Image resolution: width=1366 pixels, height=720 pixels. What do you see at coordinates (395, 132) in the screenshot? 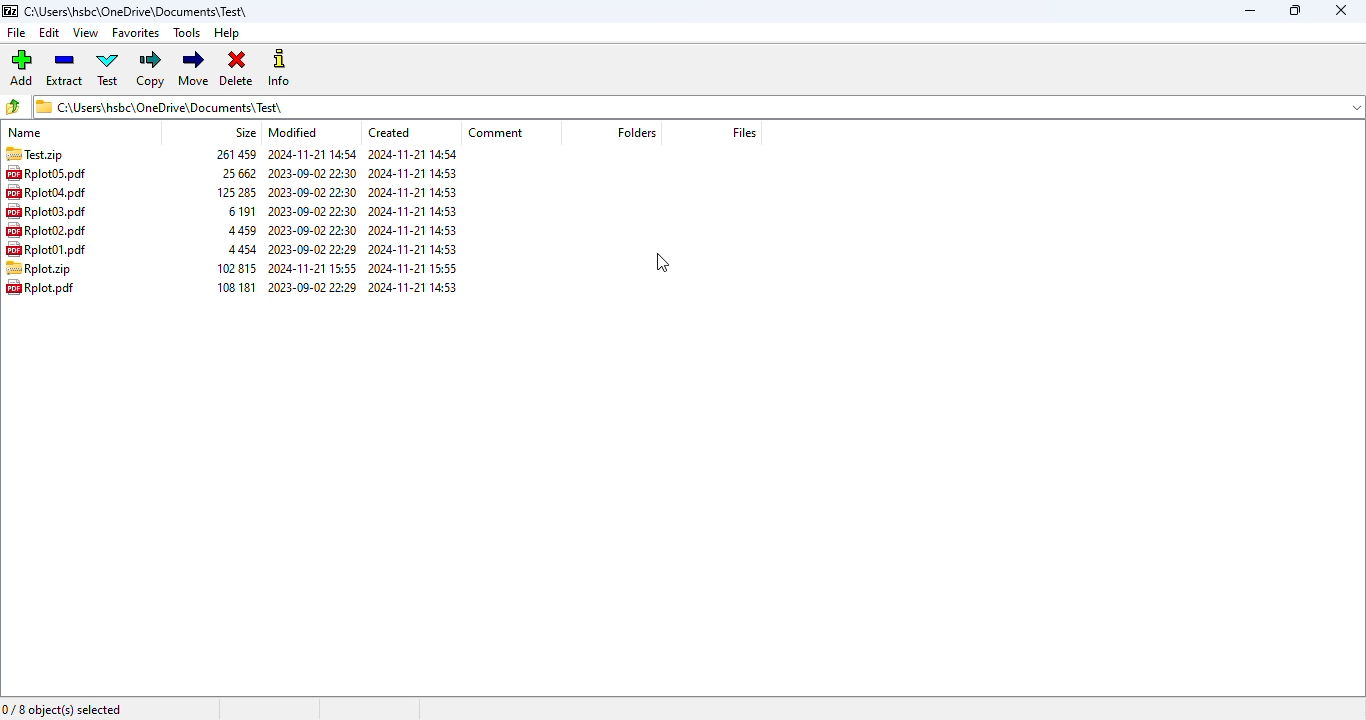
I see `` at bounding box center [395, 132].